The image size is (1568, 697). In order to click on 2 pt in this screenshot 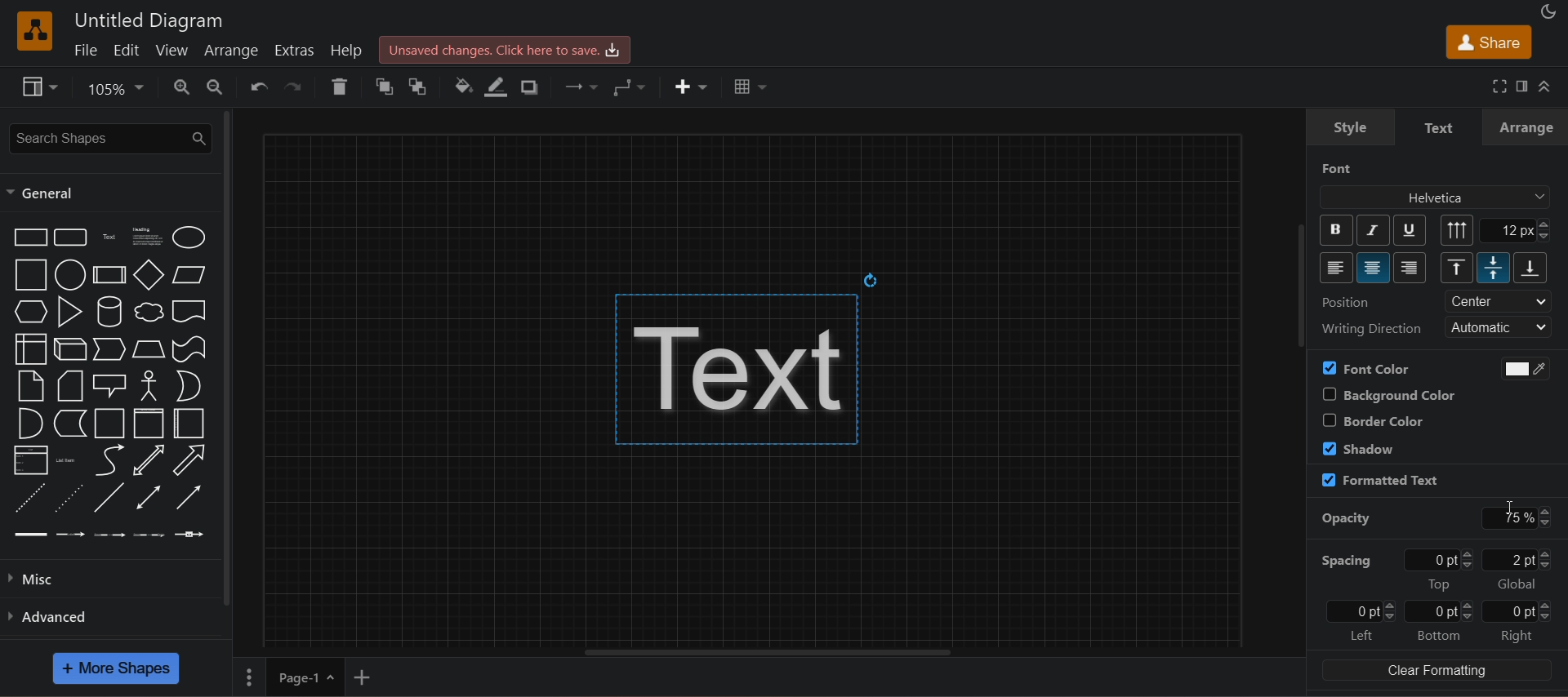, I will do `click(1518, 559)`.